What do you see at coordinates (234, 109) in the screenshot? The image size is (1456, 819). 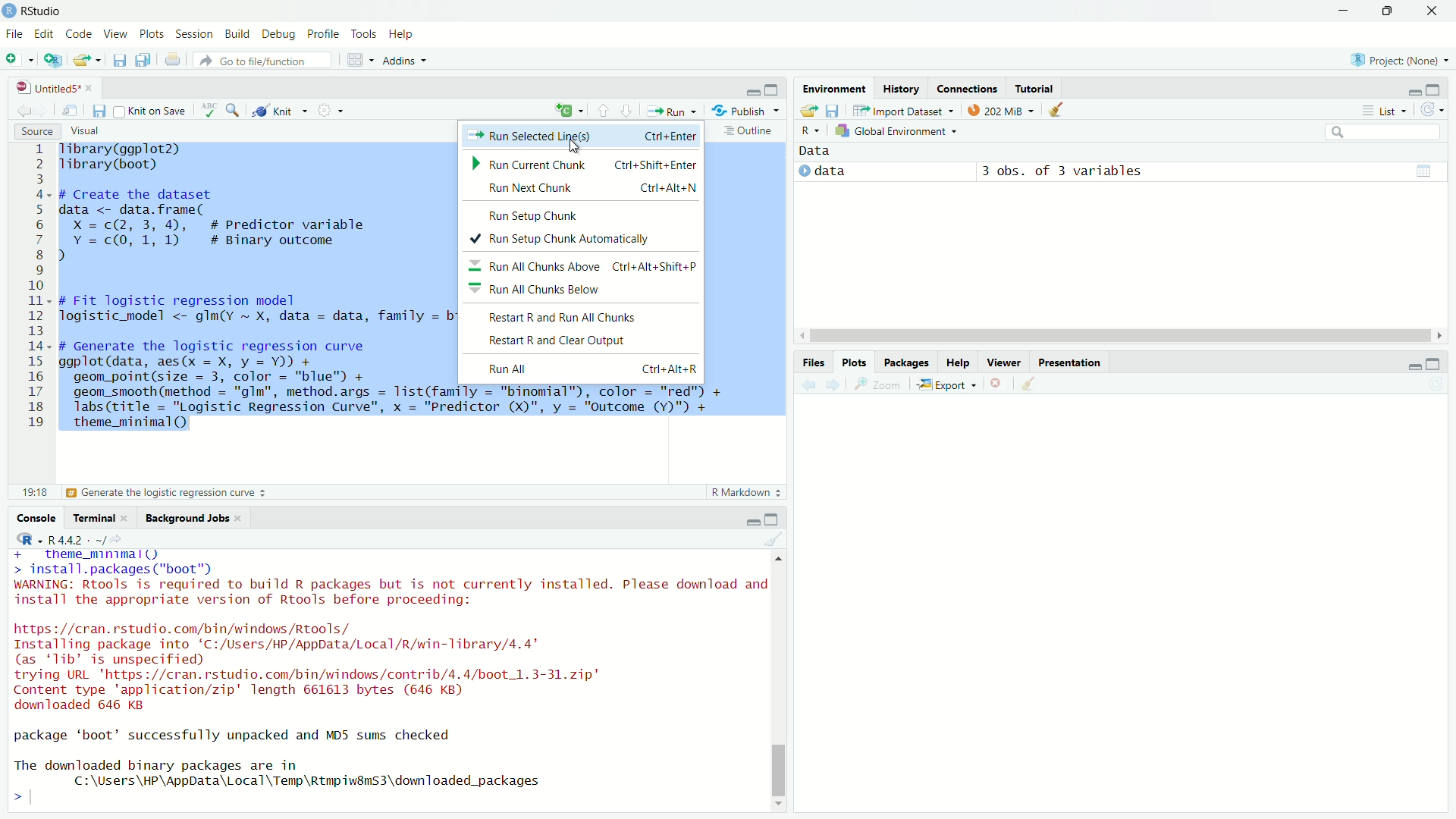 I see `Find/Replace` at bounding box center [234, 109].